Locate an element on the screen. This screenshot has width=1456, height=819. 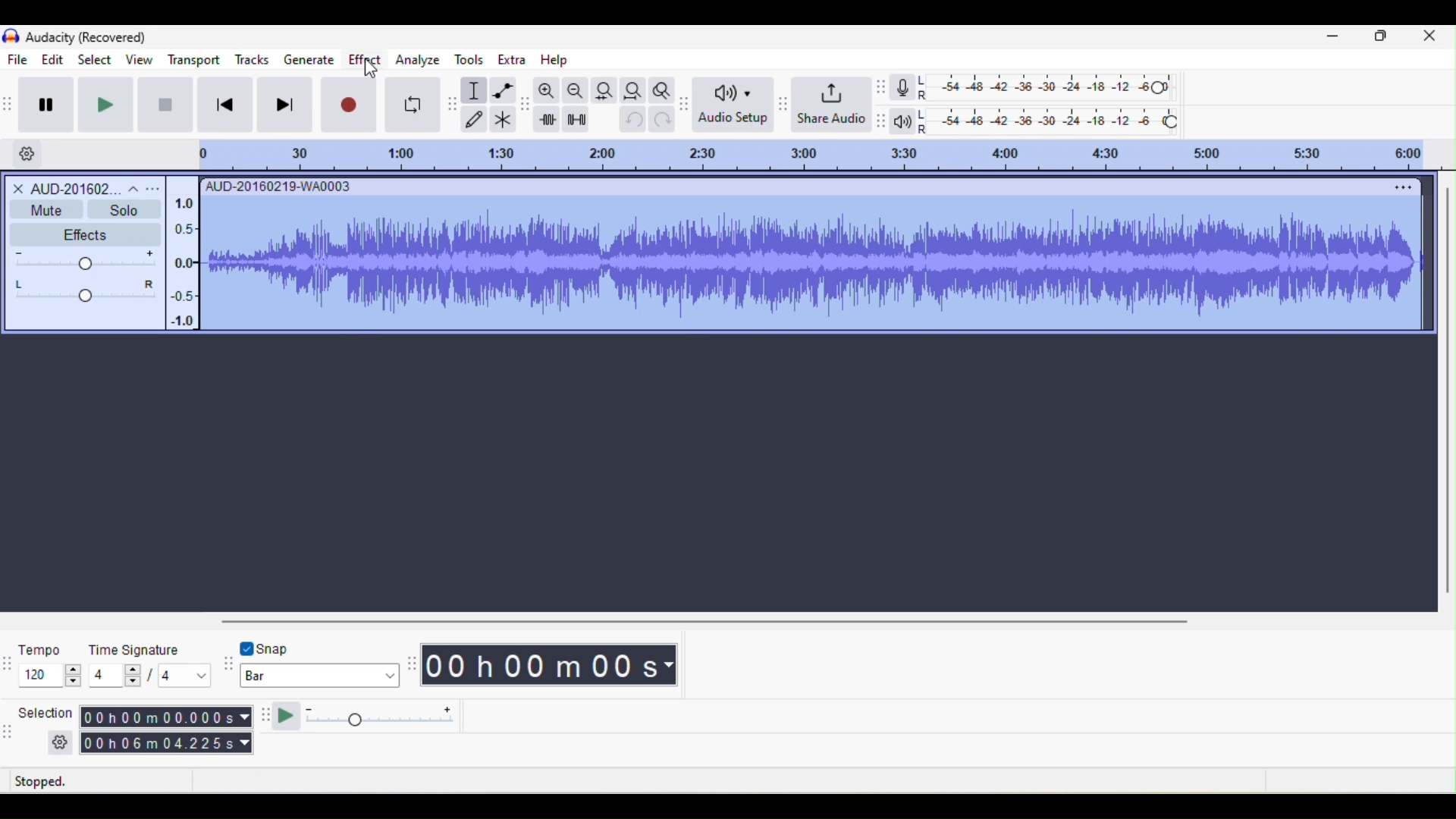
solo is located at coordinates (124, 209).